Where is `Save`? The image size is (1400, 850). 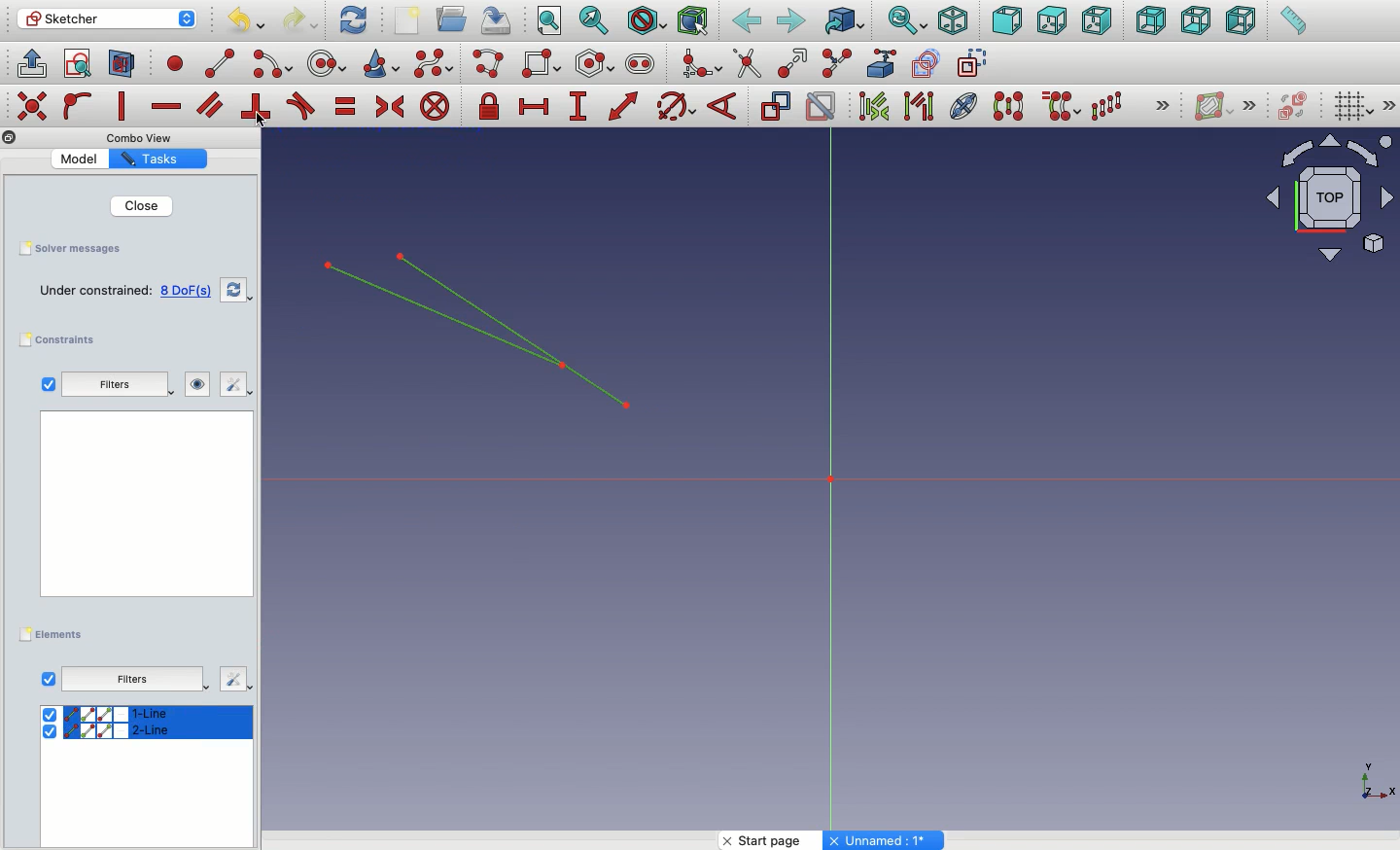 Save is located at coordinates (81, 250).